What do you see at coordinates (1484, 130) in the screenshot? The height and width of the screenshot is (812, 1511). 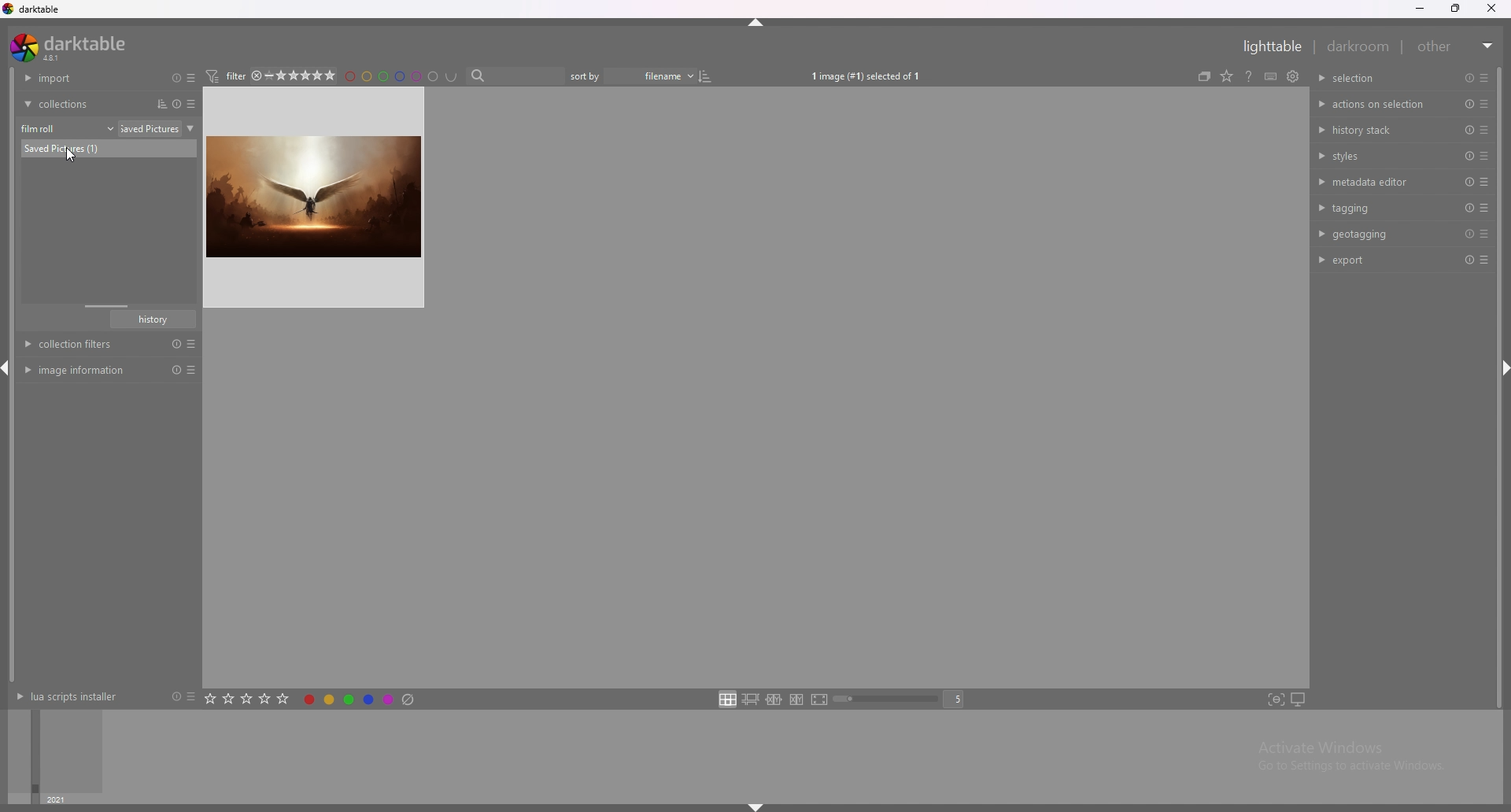 I see `presets` at bounding box center [1484, 130].